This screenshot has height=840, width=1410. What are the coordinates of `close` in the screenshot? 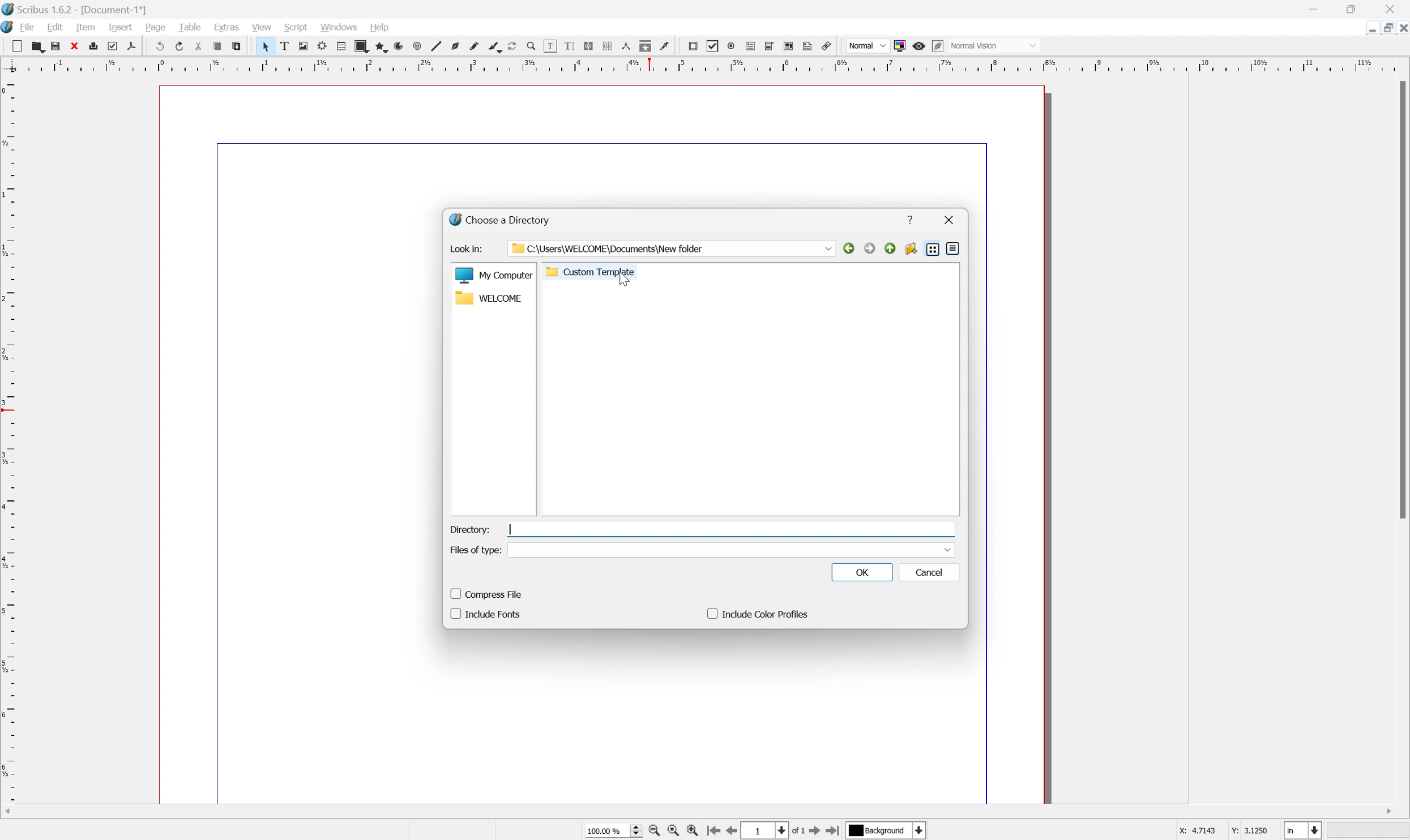 It's located at (73, 45).